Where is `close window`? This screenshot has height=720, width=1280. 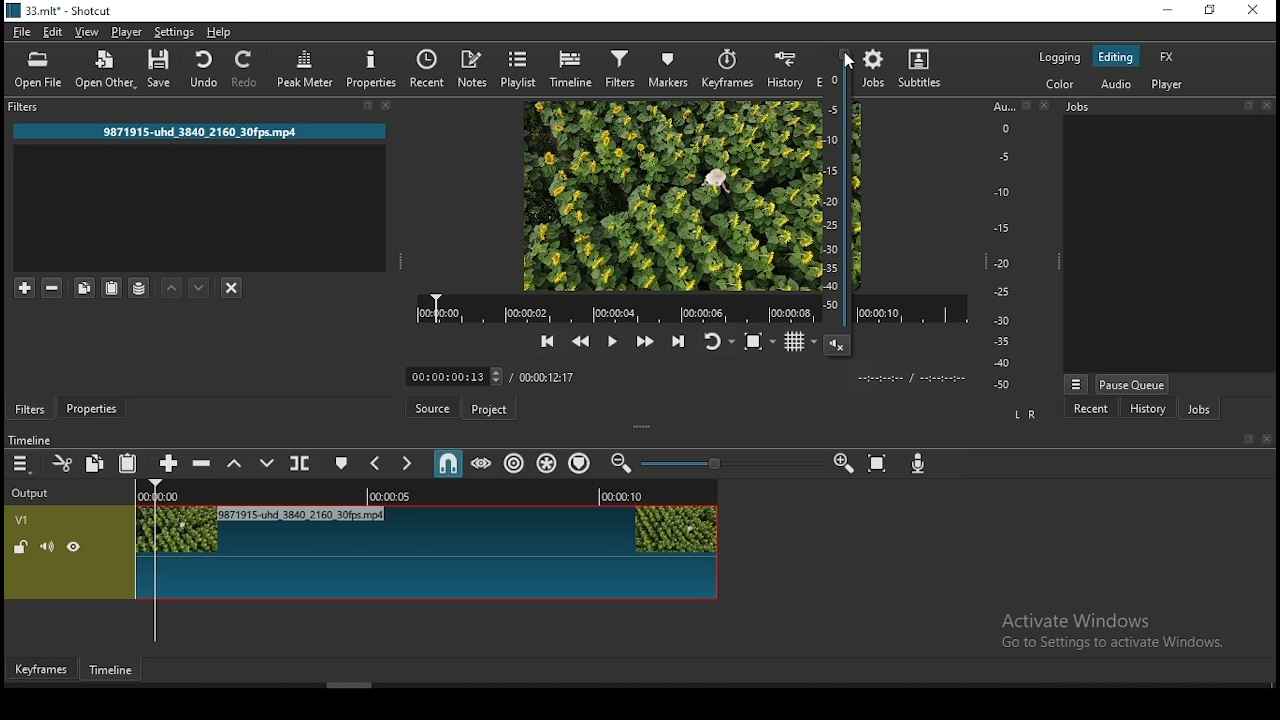 close window is located at coordinates (1255, 11).